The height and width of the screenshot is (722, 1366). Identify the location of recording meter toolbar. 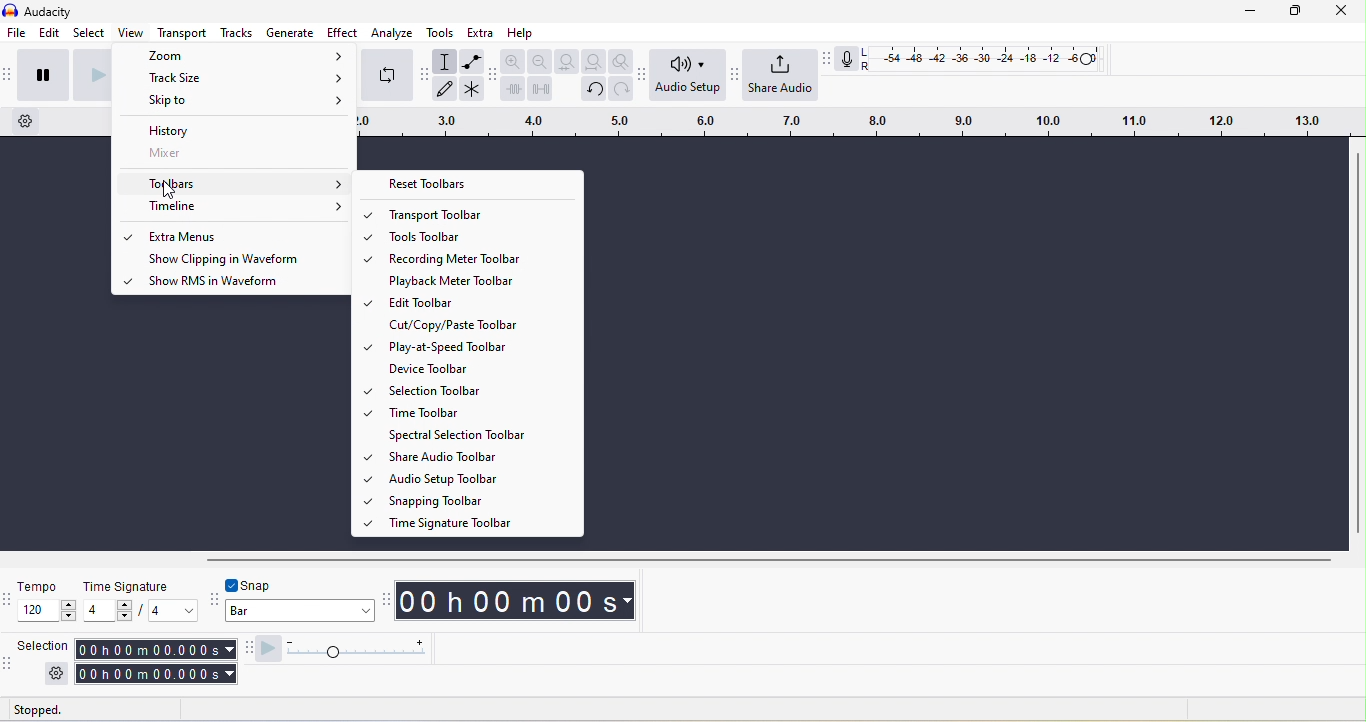
(826, 59).